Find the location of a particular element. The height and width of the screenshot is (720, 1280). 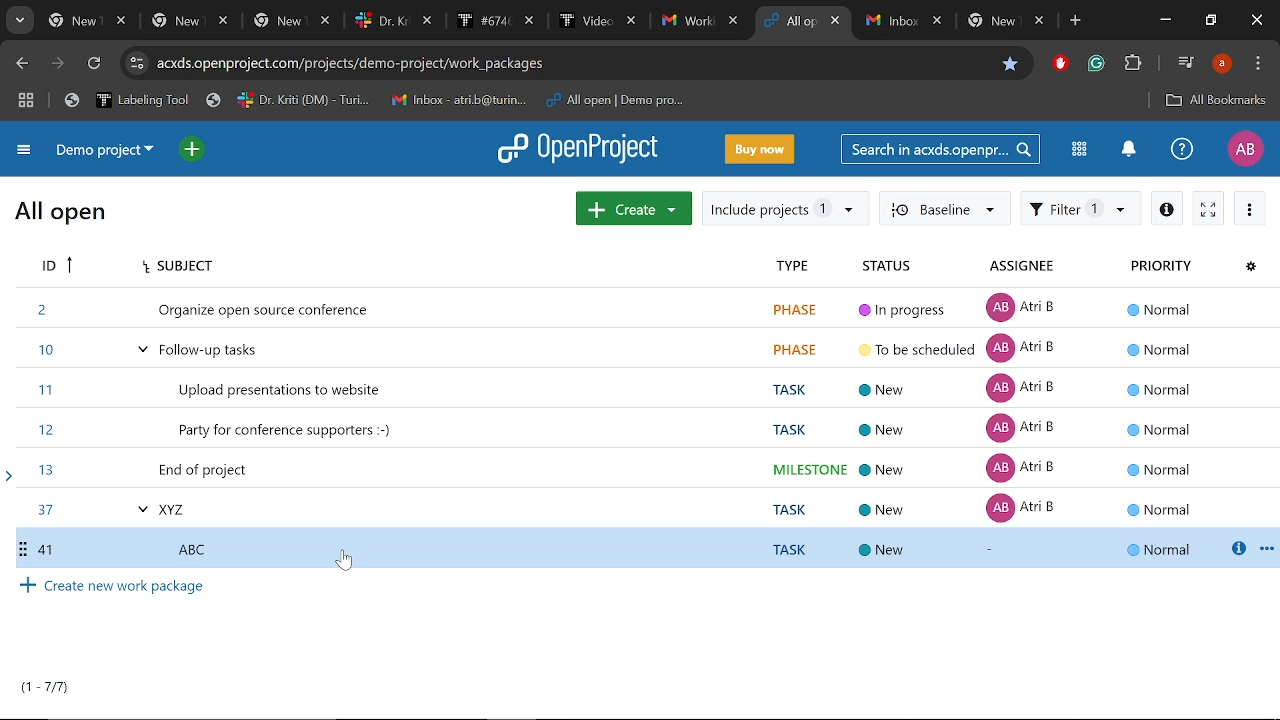

Grammerly is located at coordinates (1097, 63).